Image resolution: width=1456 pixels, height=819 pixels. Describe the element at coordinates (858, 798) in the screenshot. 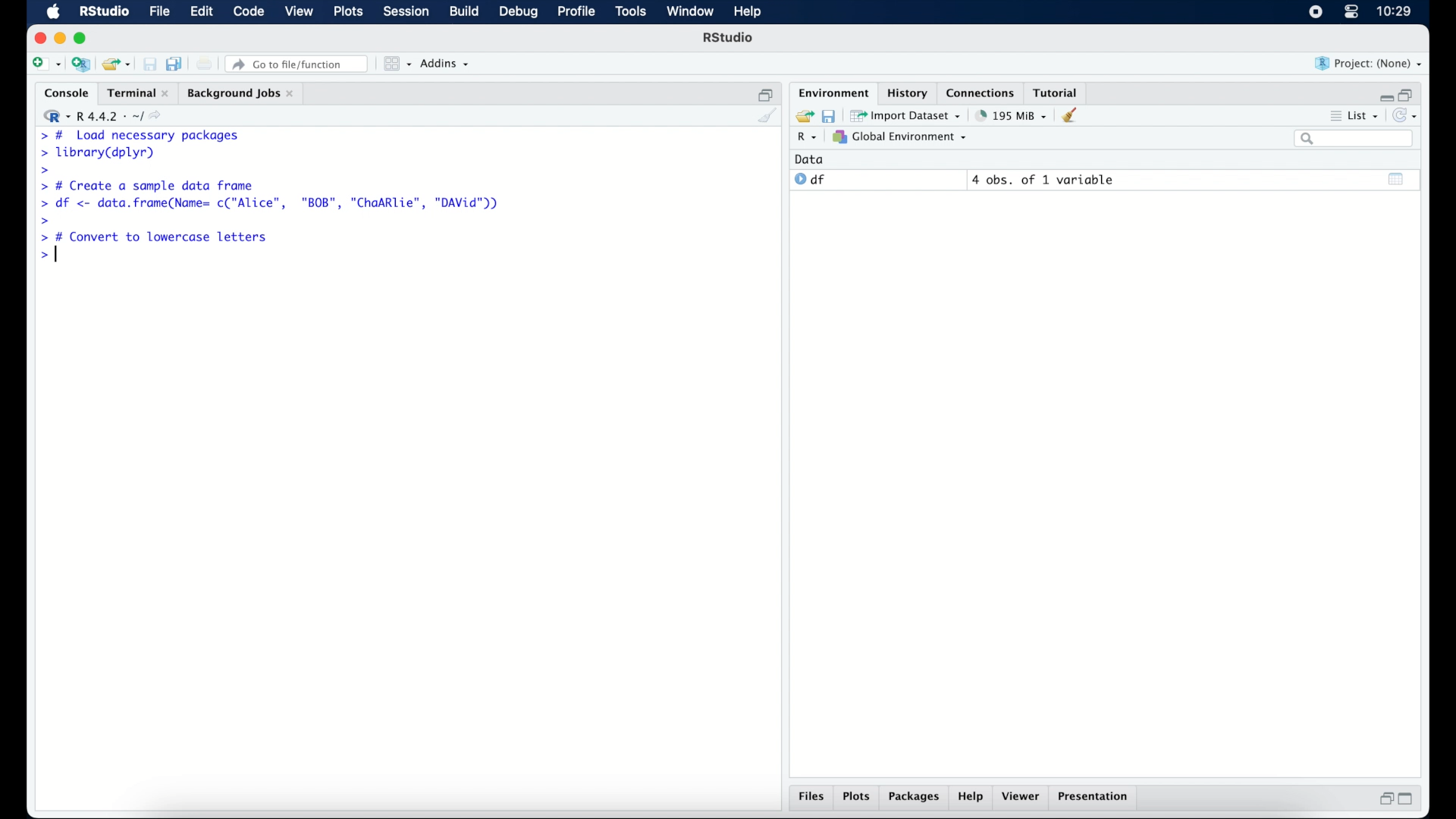

I see `plots` at that location.